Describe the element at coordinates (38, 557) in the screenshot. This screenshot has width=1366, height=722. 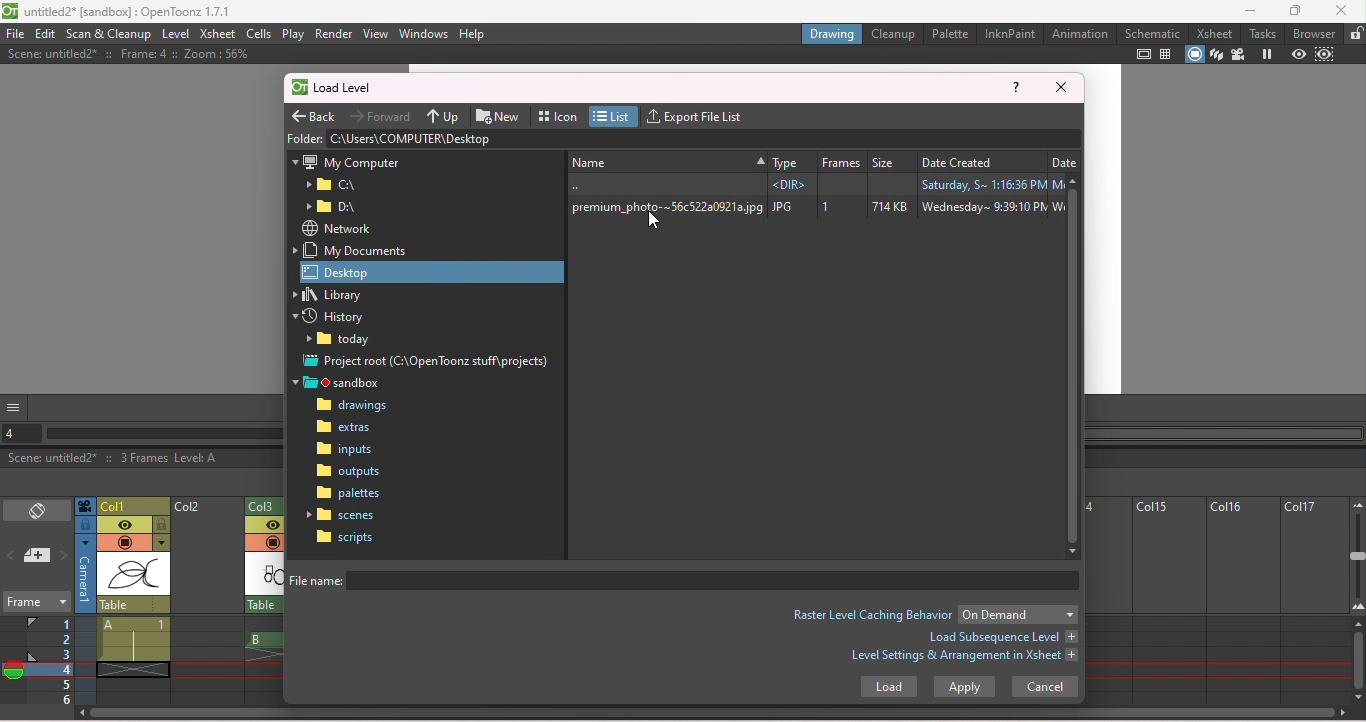
I see `New memo` at that location.